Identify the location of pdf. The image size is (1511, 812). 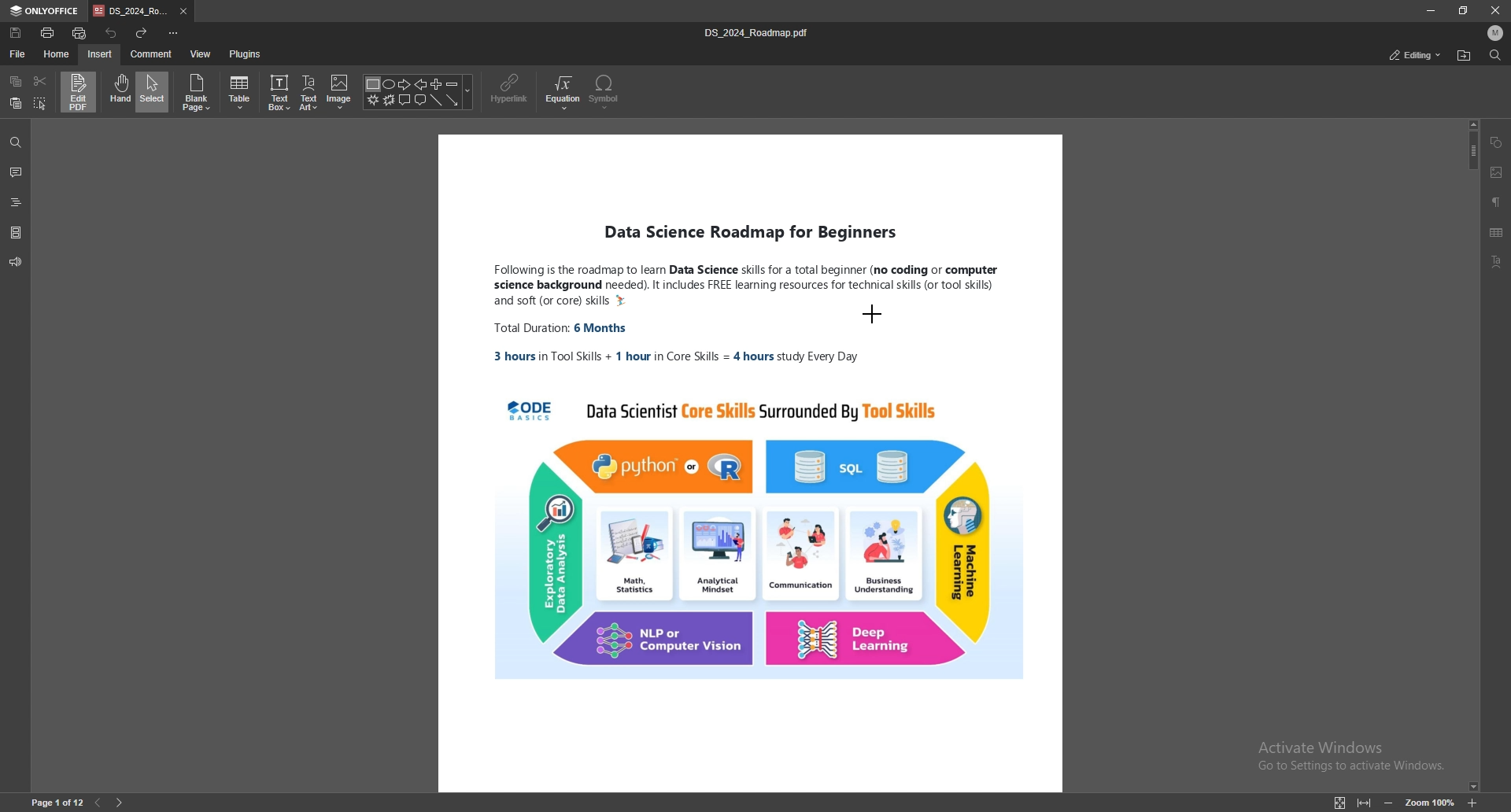
(749, 465).